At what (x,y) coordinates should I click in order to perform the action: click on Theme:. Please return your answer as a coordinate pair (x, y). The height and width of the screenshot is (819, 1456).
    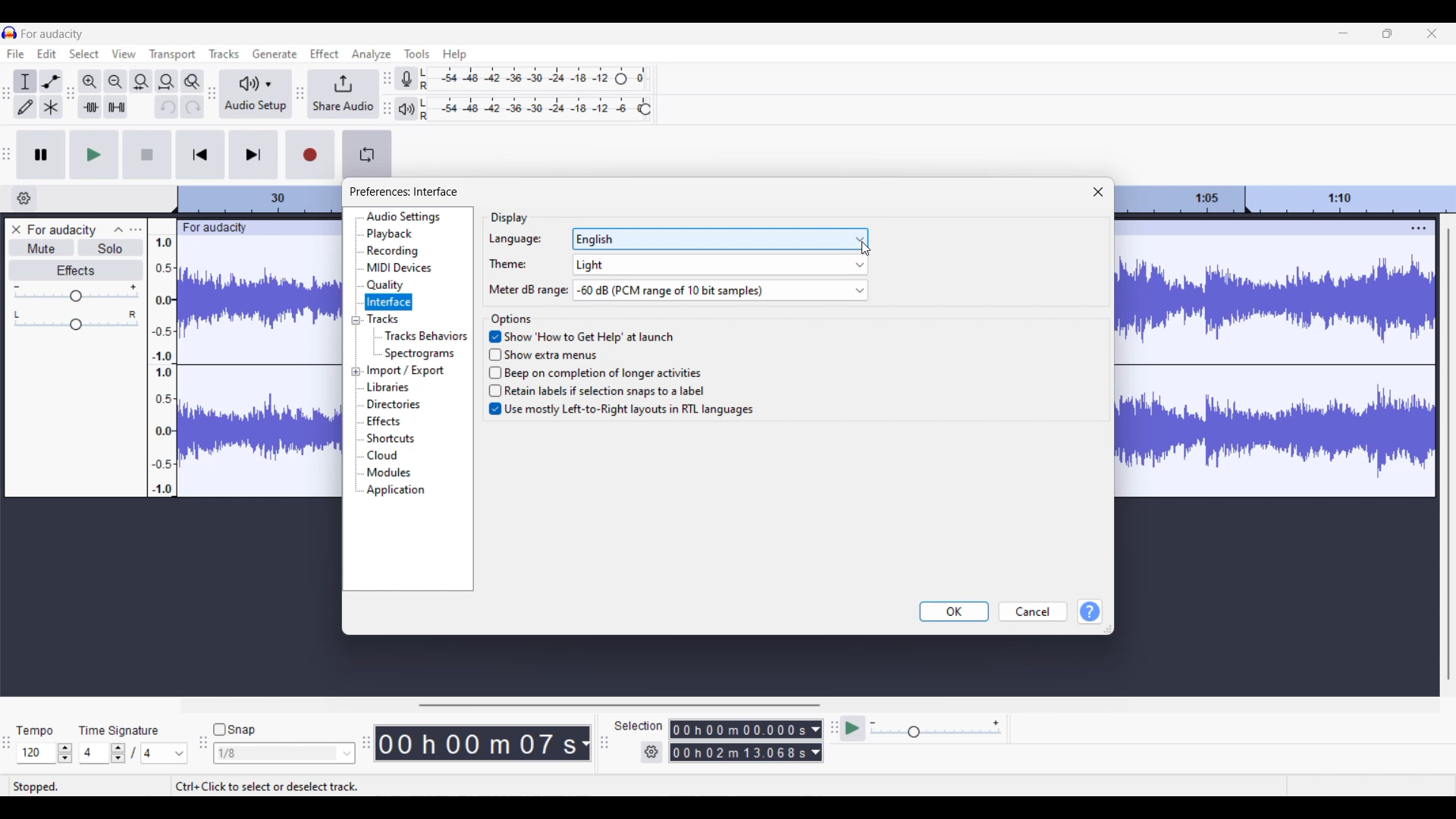
    Looking at the image, I should click on (508, 264).